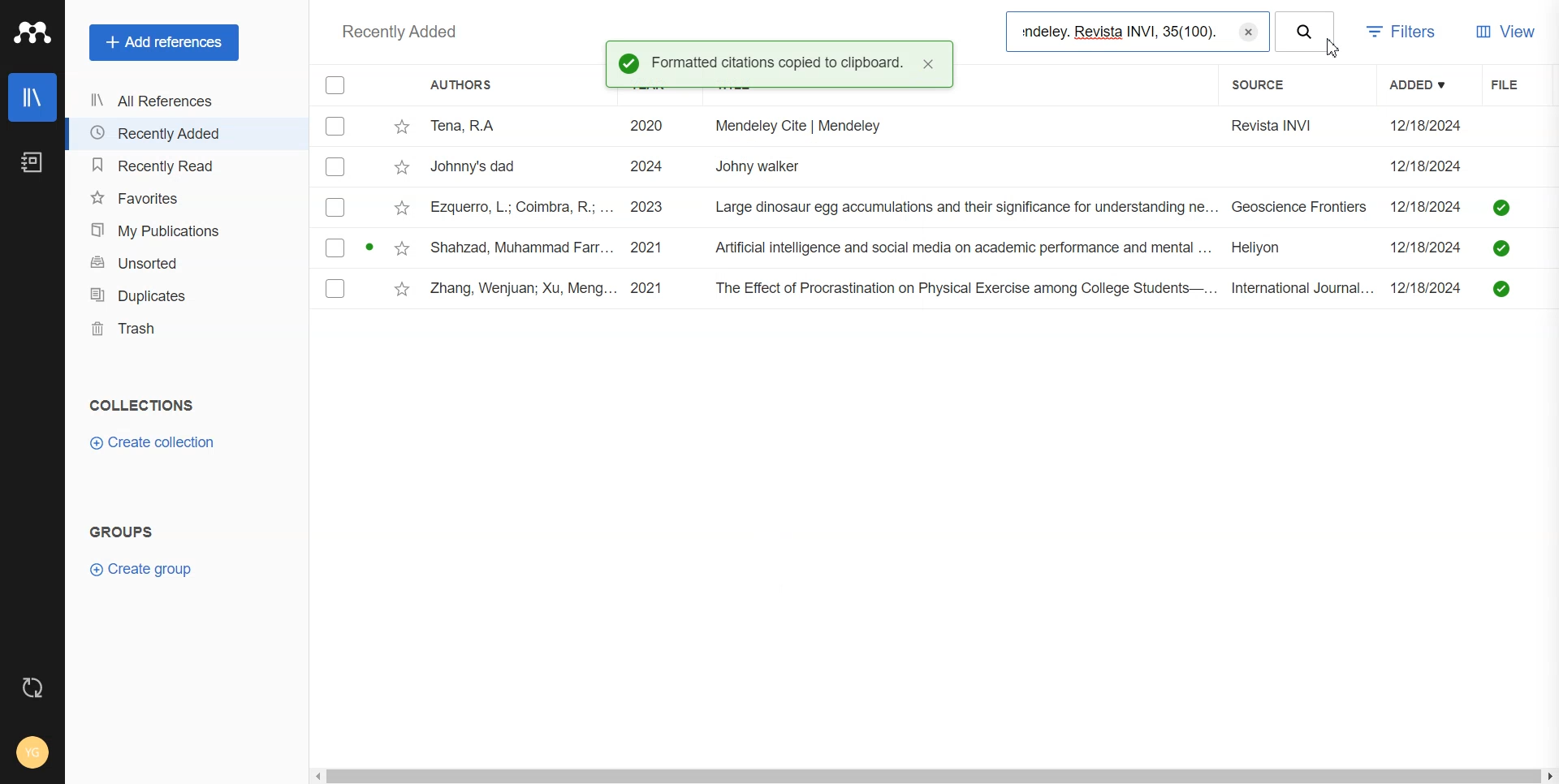 Image resolution: width=1559 pixels, height=784 pixels. I want to click on Notebook, so click(32, 162).